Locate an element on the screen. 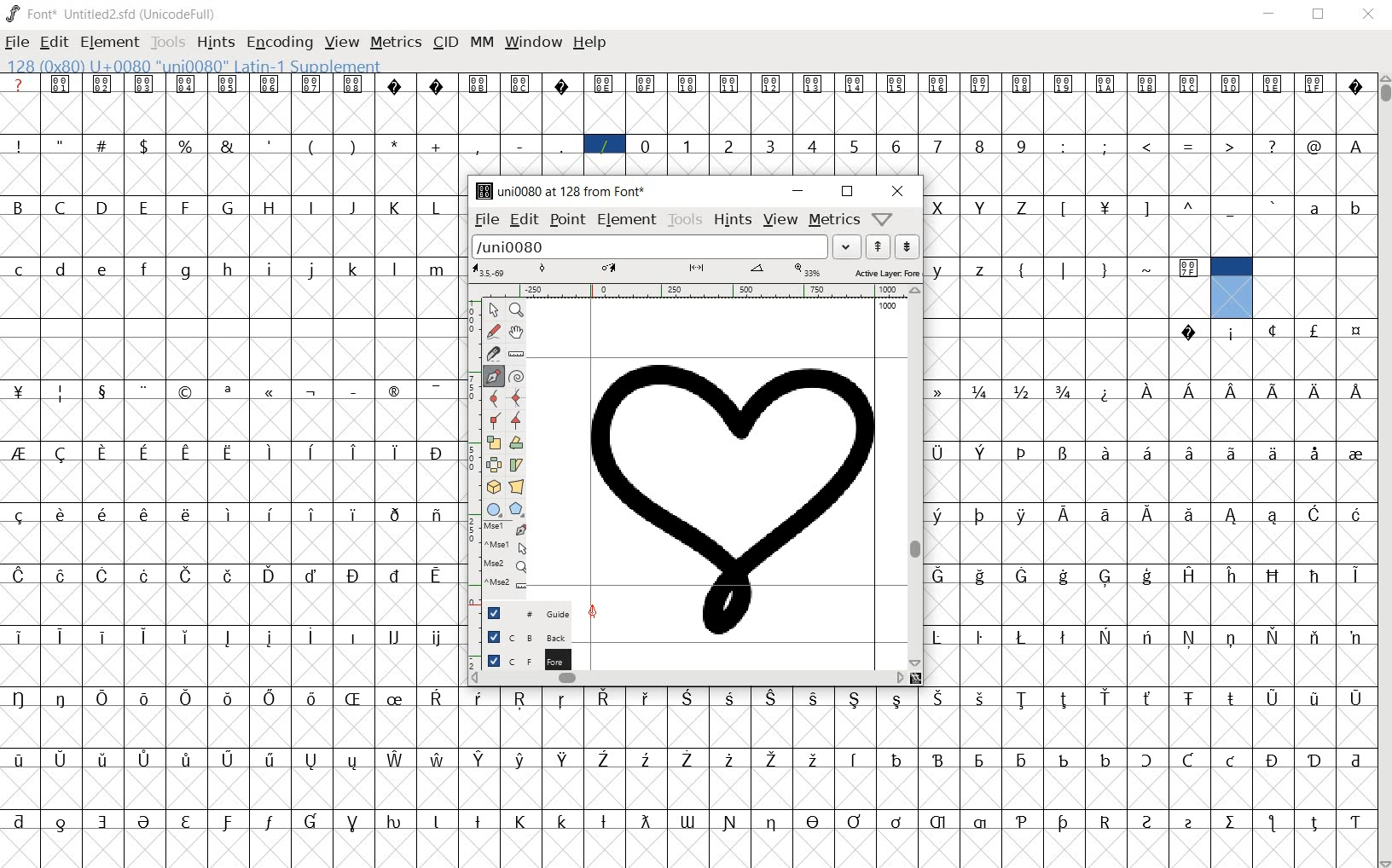 Image resolution: width=1392 pixels, height=868 pixels. glyph is located at coordinates (478, 84).